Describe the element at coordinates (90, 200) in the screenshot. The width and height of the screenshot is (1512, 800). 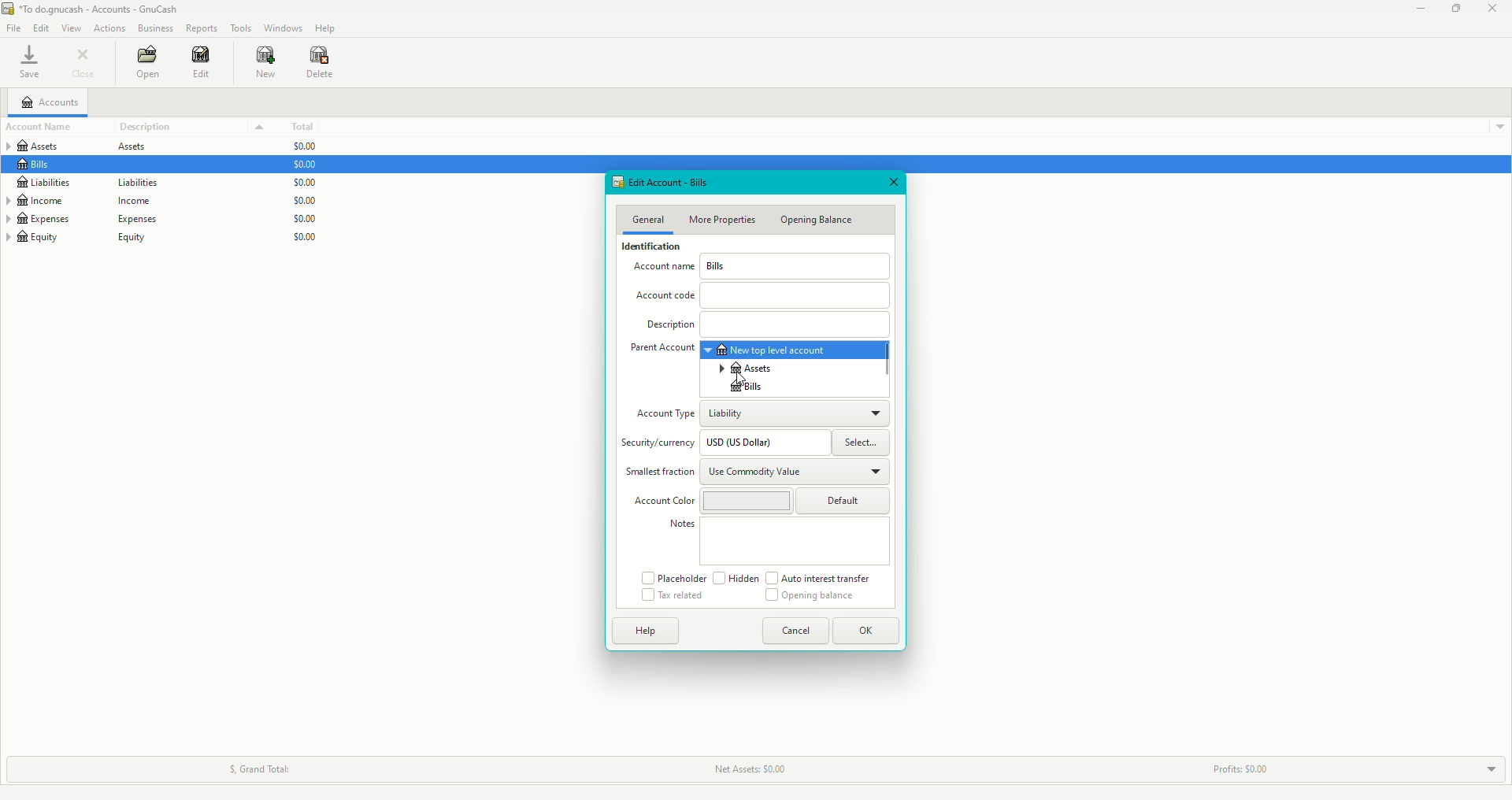
I see `Income` at that location.